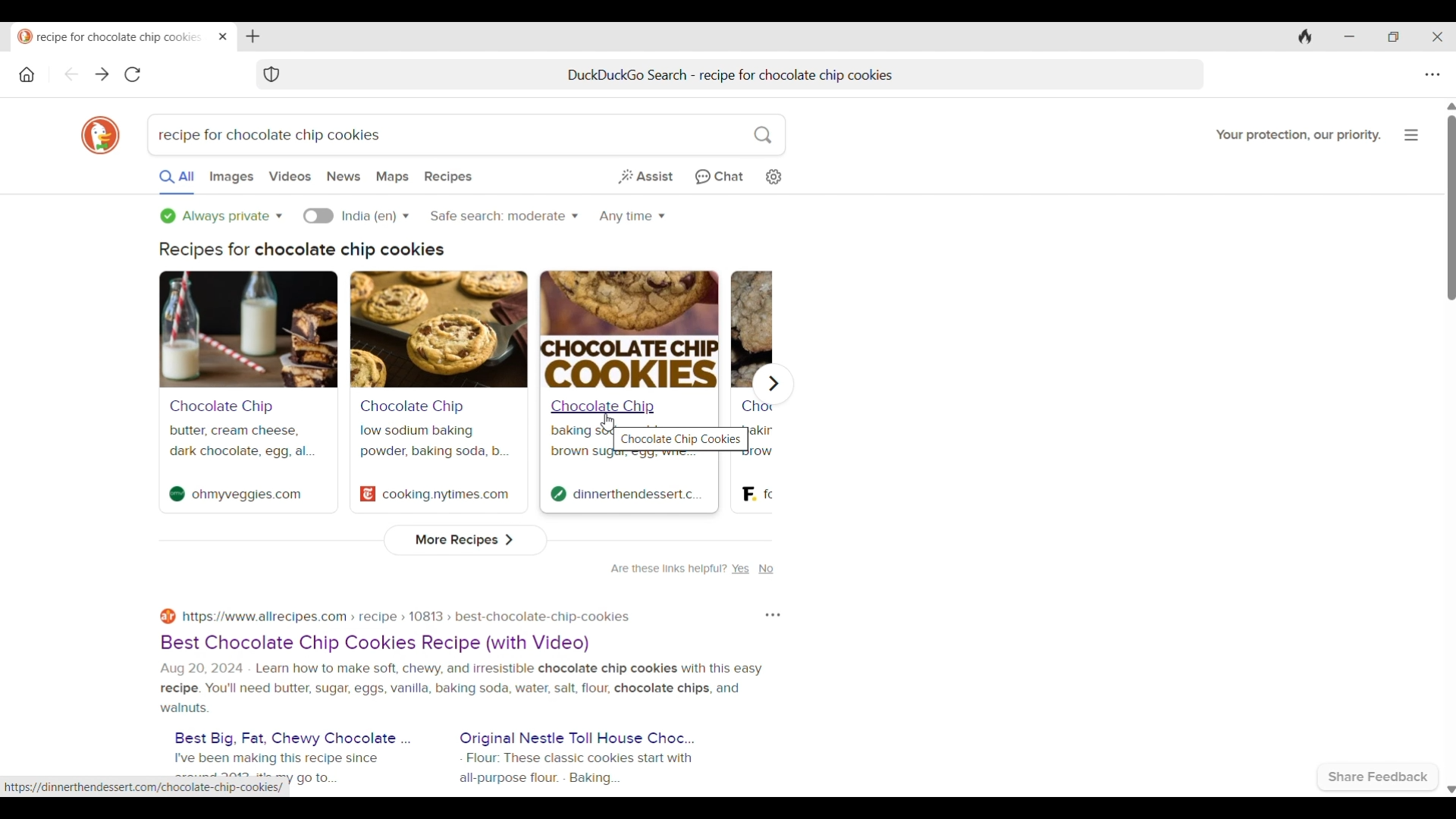 The width and height of the screenshot is (1456, 819). What do you see at coordinates (413, 407) in the screenshot?
I see `Chocolate Chip` at bounding box center [413, 407].